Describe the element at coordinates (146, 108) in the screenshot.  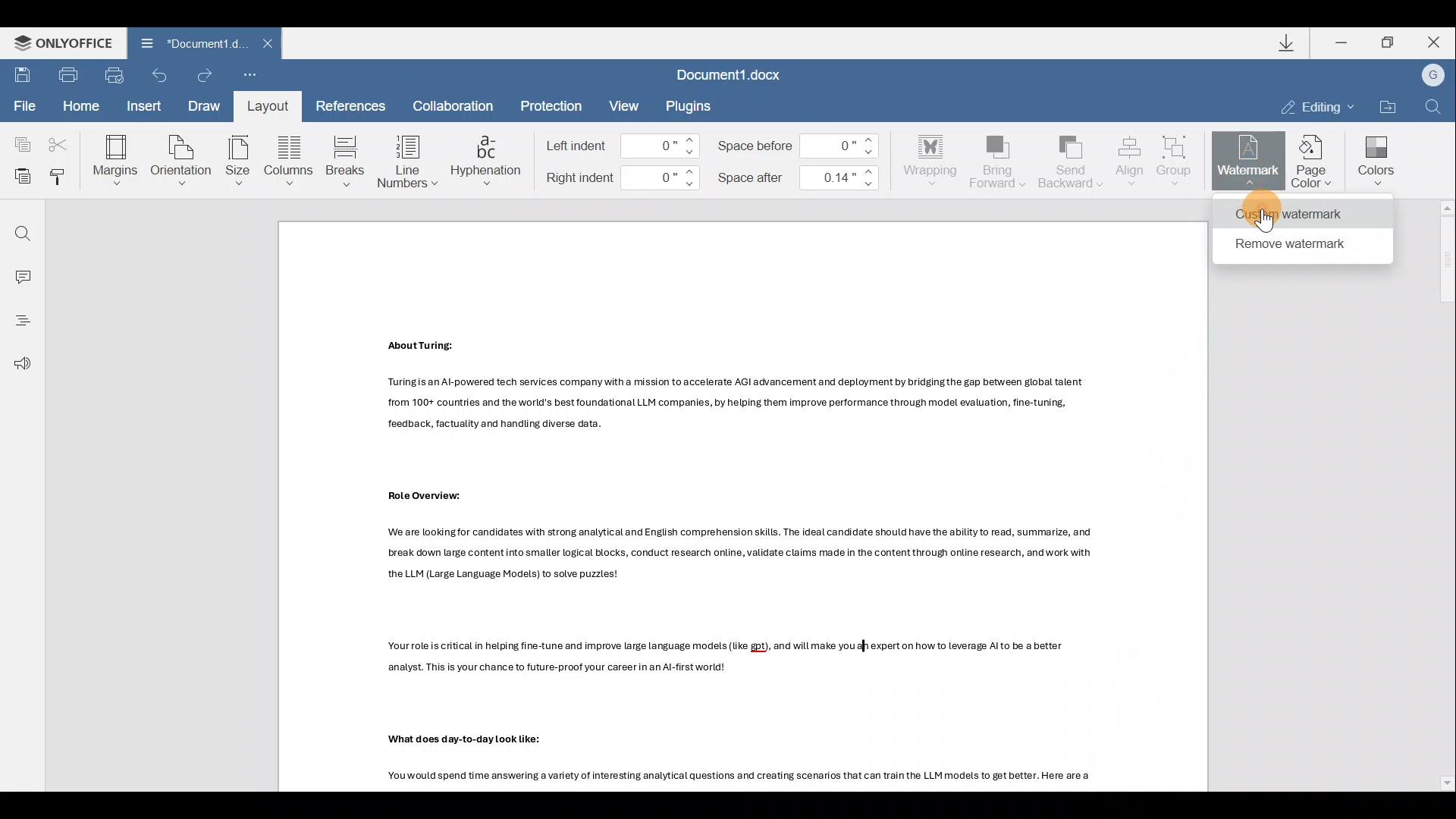
I see `Insert` at that location.